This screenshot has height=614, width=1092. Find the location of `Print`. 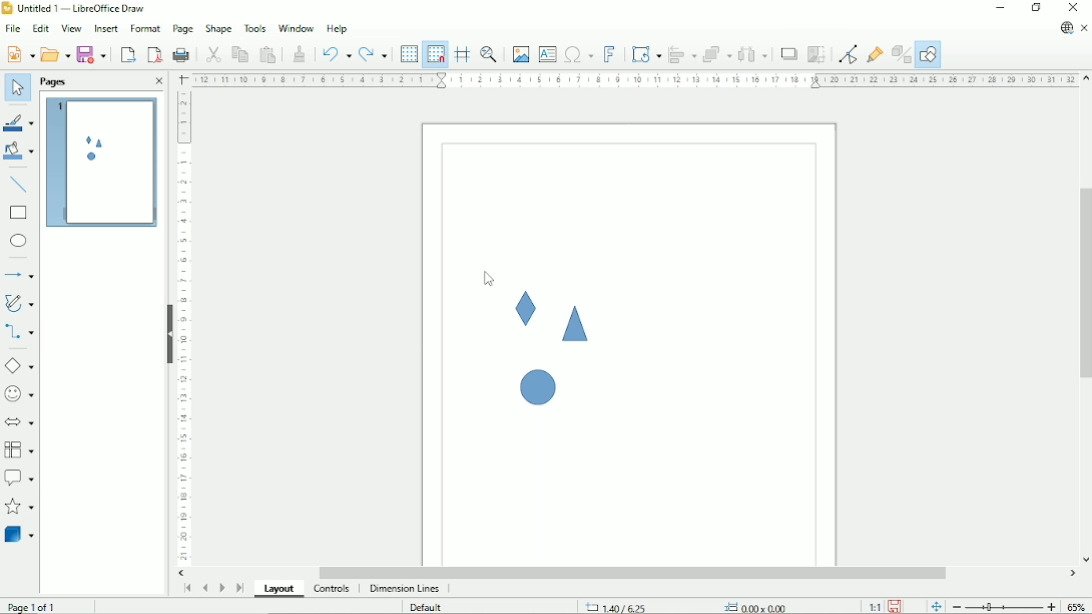

Print is located at coordinates (182, 53).